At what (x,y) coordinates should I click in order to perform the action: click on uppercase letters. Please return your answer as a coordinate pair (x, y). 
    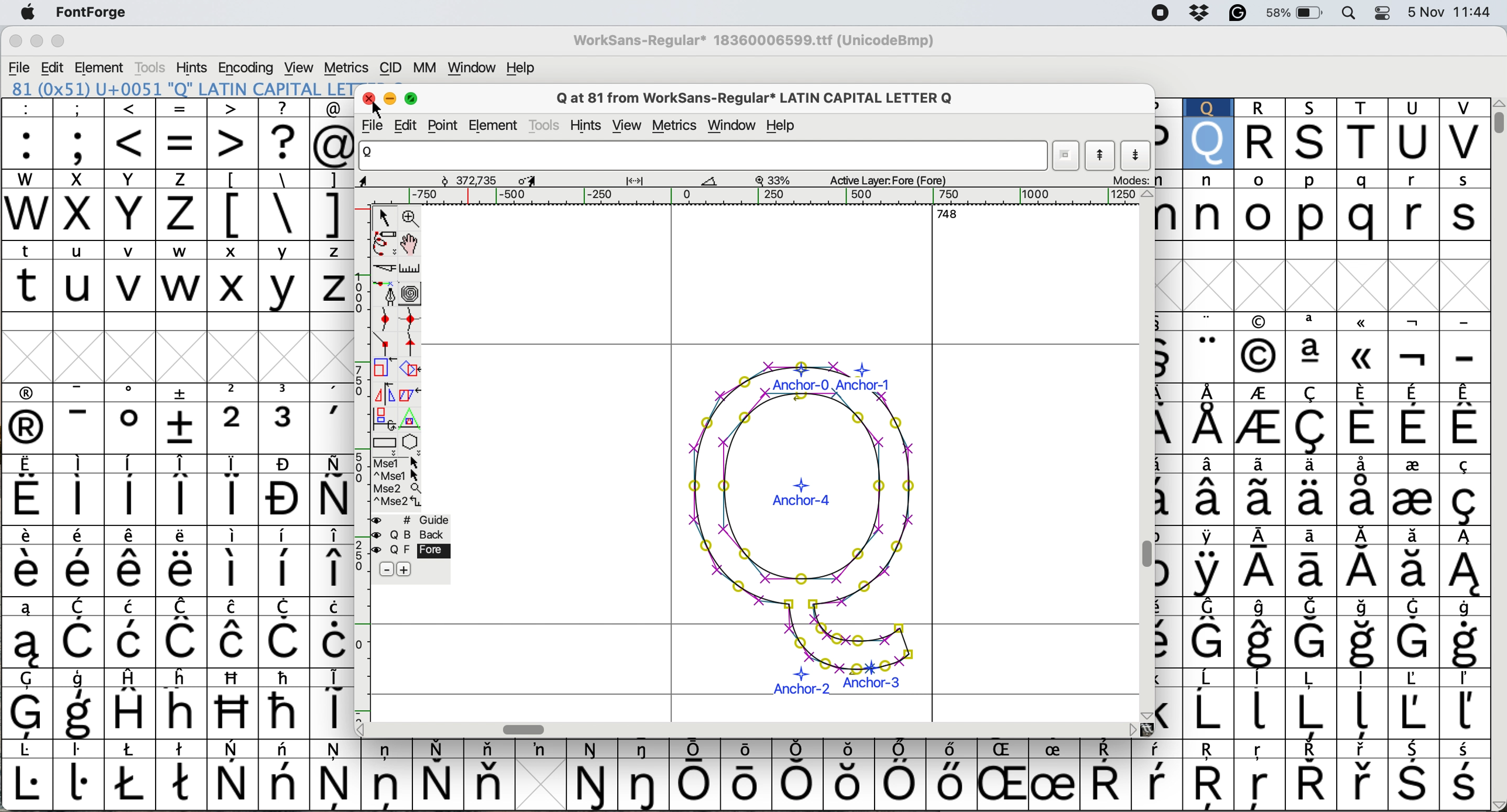
    Looking at the image, I should click on (179, 290).